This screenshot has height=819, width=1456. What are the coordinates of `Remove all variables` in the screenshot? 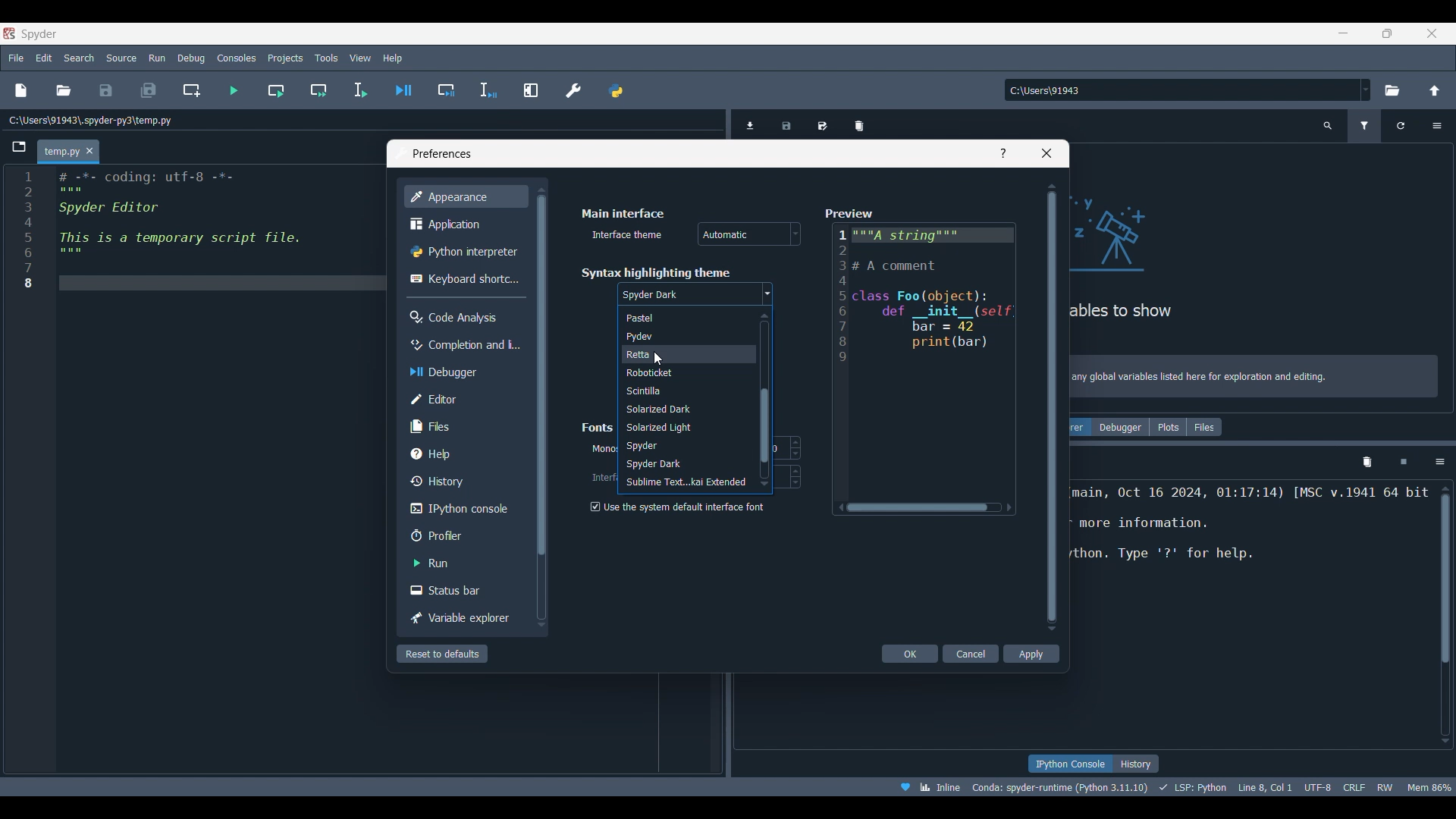 It's located at (859, 123).